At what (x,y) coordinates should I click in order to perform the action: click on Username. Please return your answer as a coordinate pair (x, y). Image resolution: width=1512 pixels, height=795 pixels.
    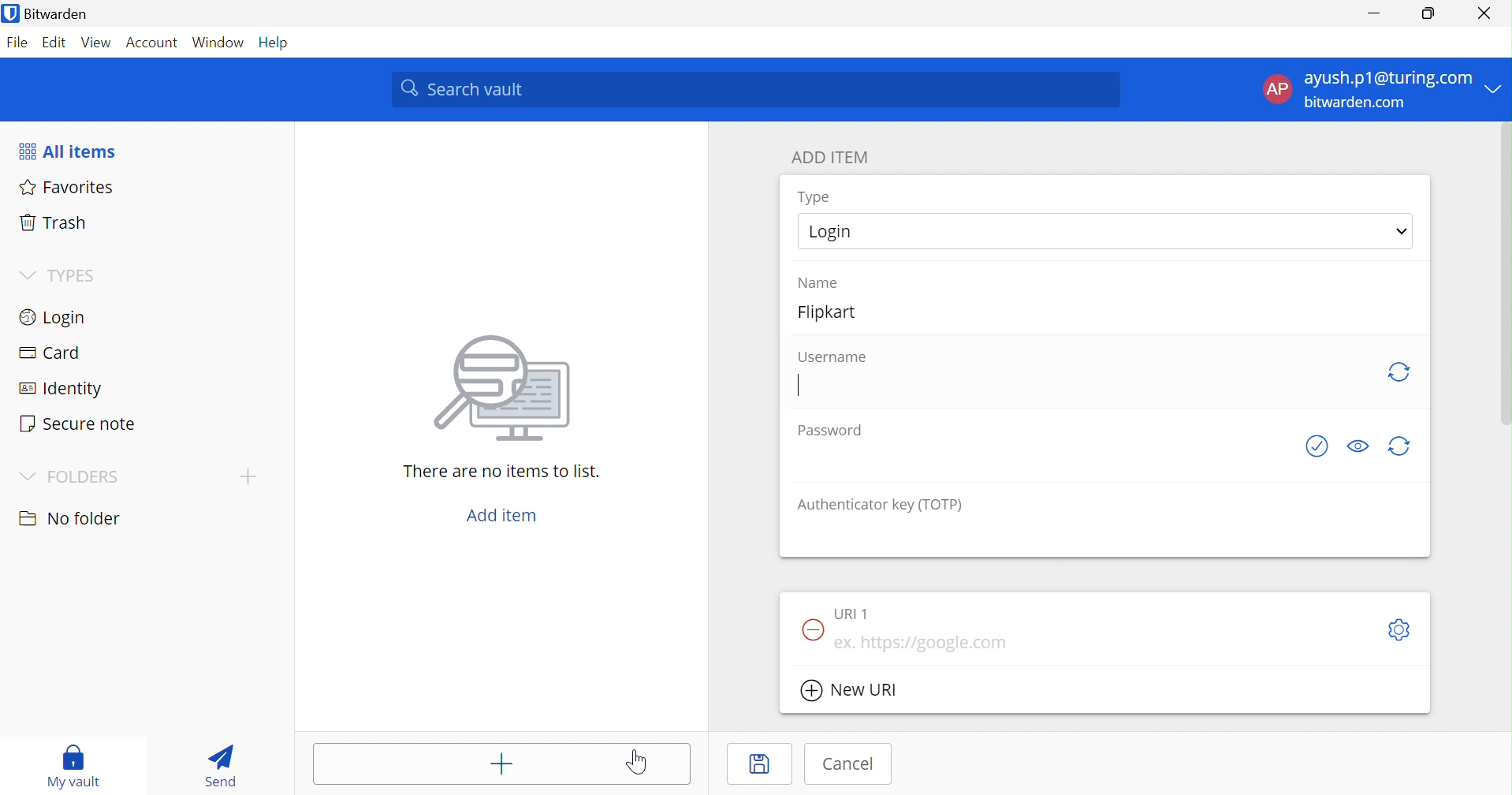
    Looking at the image, I should click on (833, 356).